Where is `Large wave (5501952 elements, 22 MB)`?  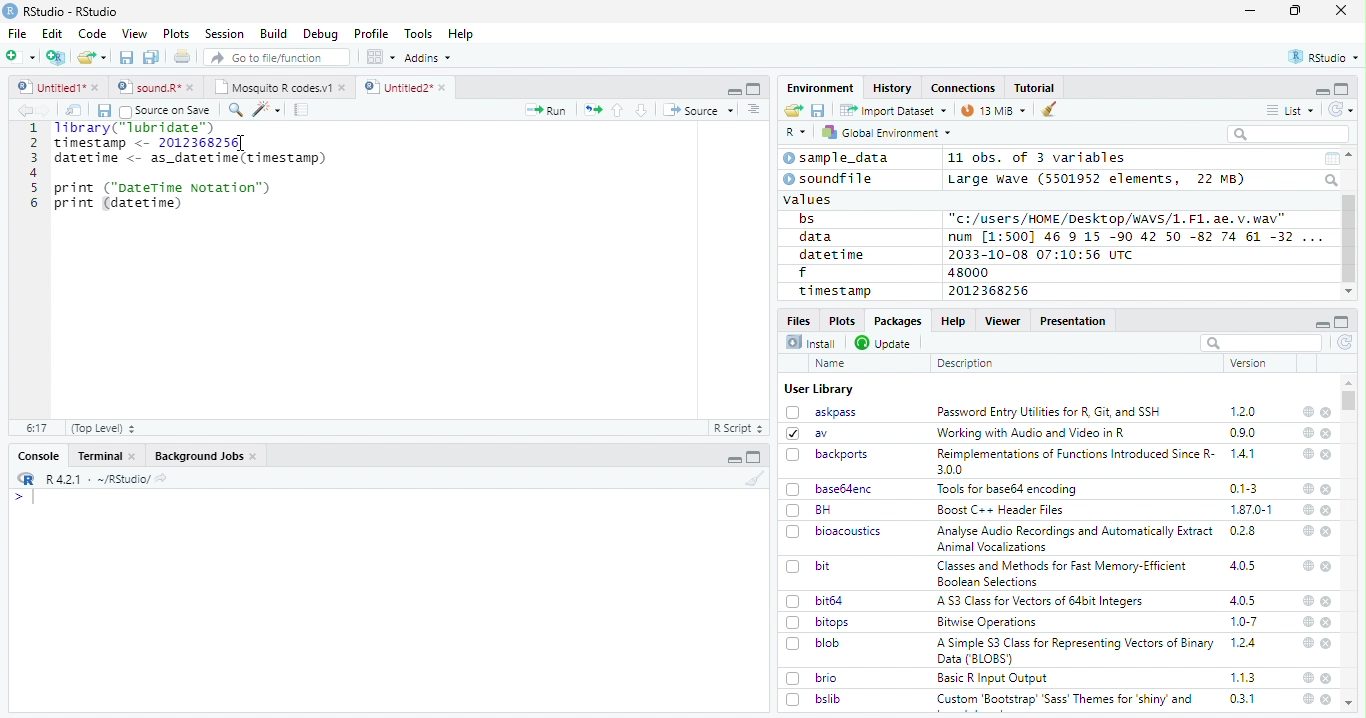 Large wave (5501952 elements, 22 MB) is located at coordinates (1099, 179).